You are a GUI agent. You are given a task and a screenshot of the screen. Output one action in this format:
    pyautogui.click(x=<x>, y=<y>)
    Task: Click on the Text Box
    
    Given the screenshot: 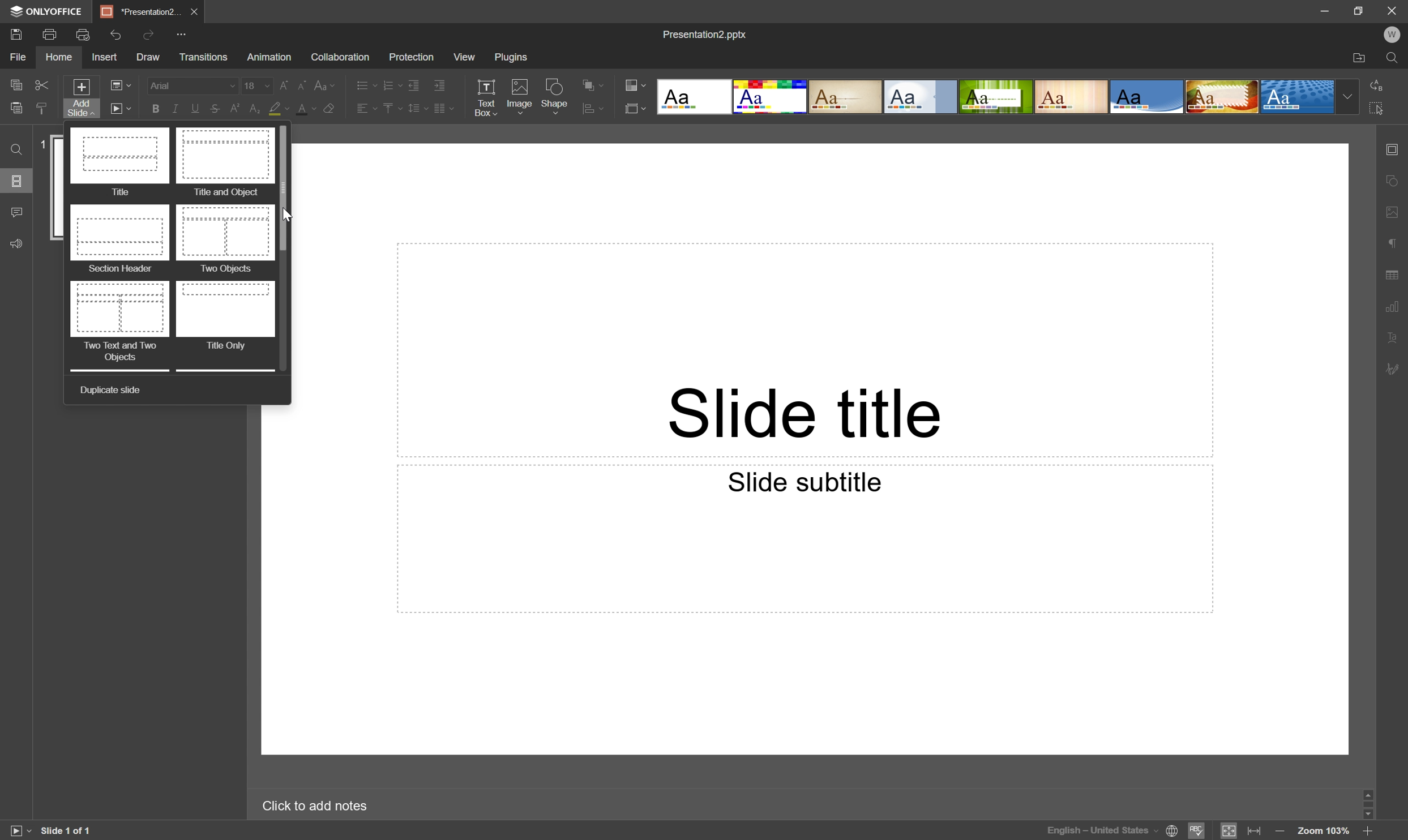 What is the action you would take?
    pyautogui.click(x=489, y=96)
    